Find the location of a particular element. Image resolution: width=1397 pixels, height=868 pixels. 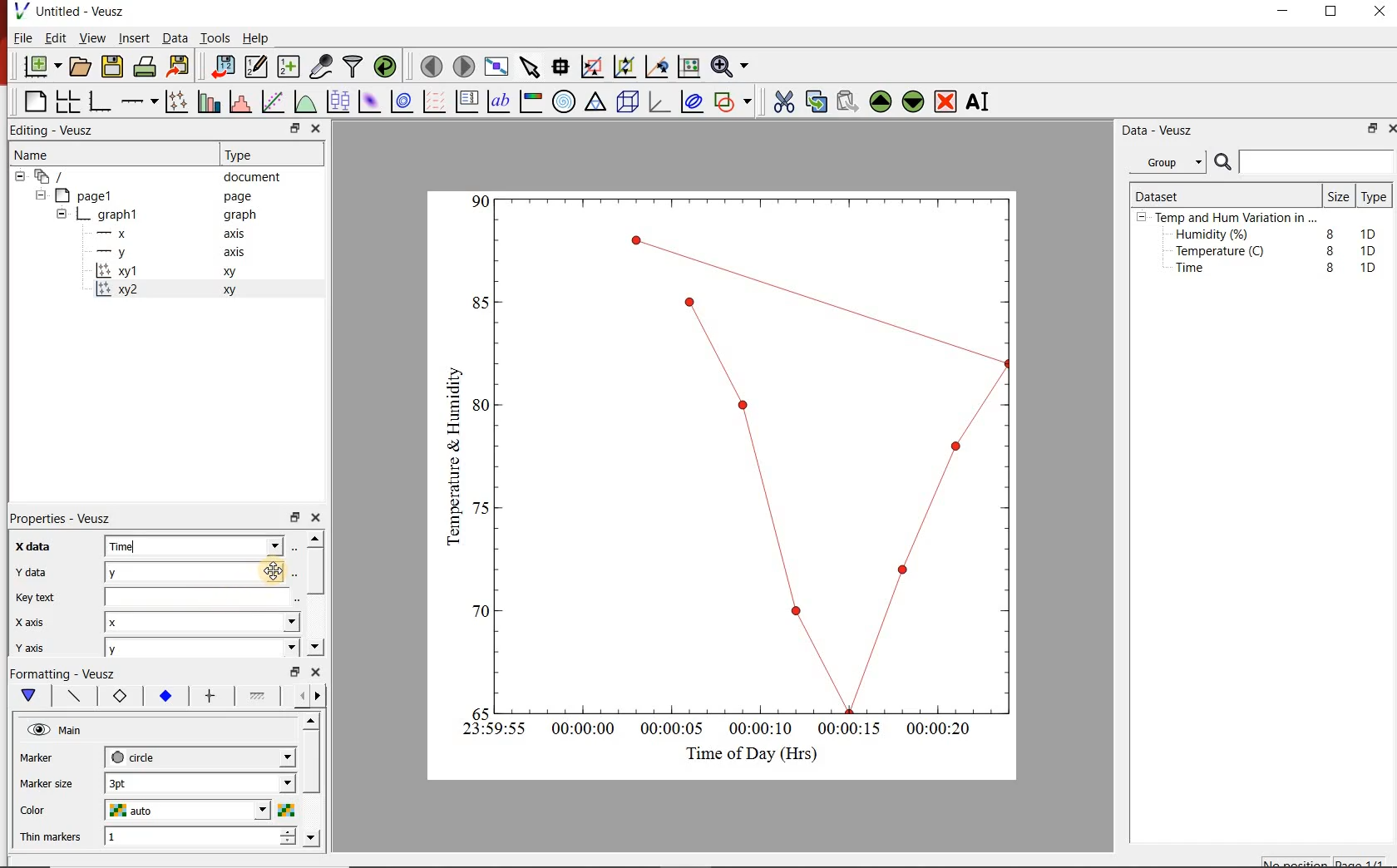

Temp and Hum Variation in ... is located at coordinates (1236, 218).